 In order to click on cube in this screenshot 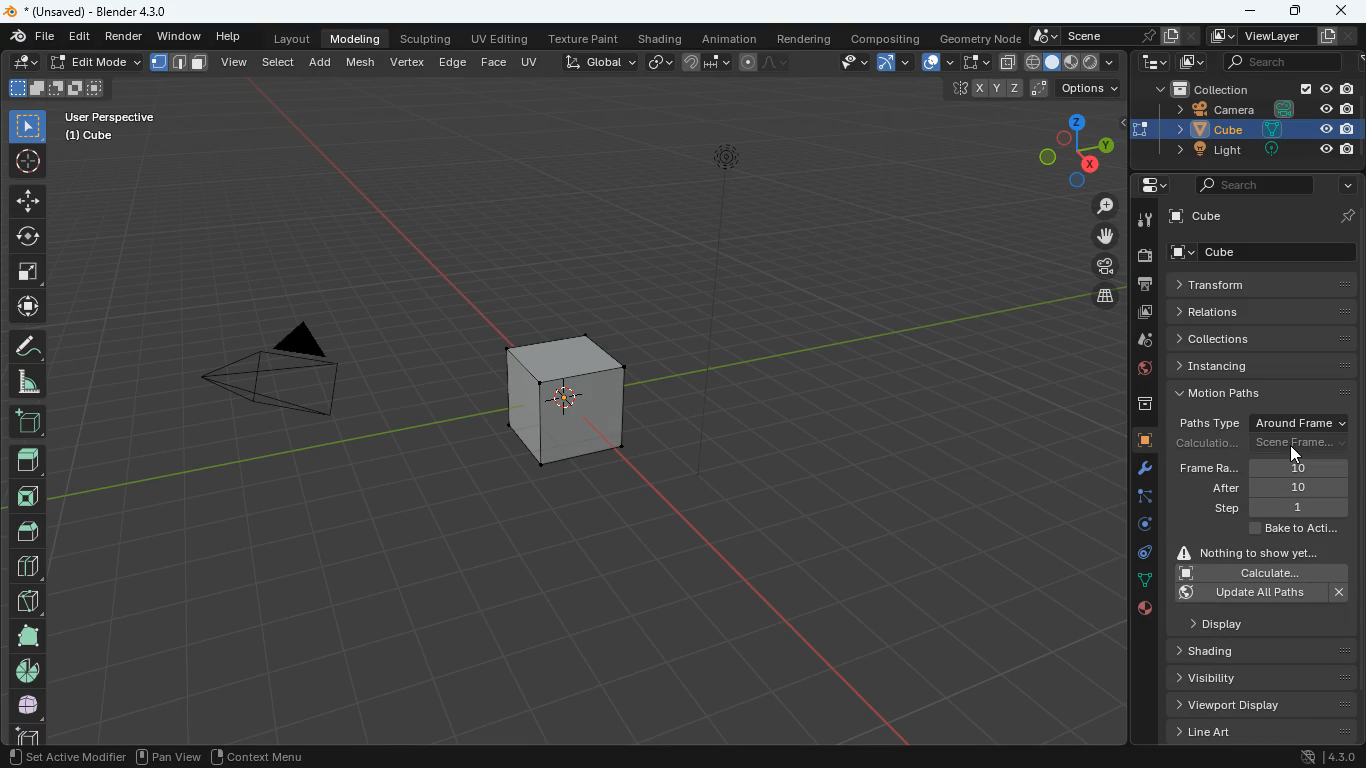, I will do `click(1143, 441)`.